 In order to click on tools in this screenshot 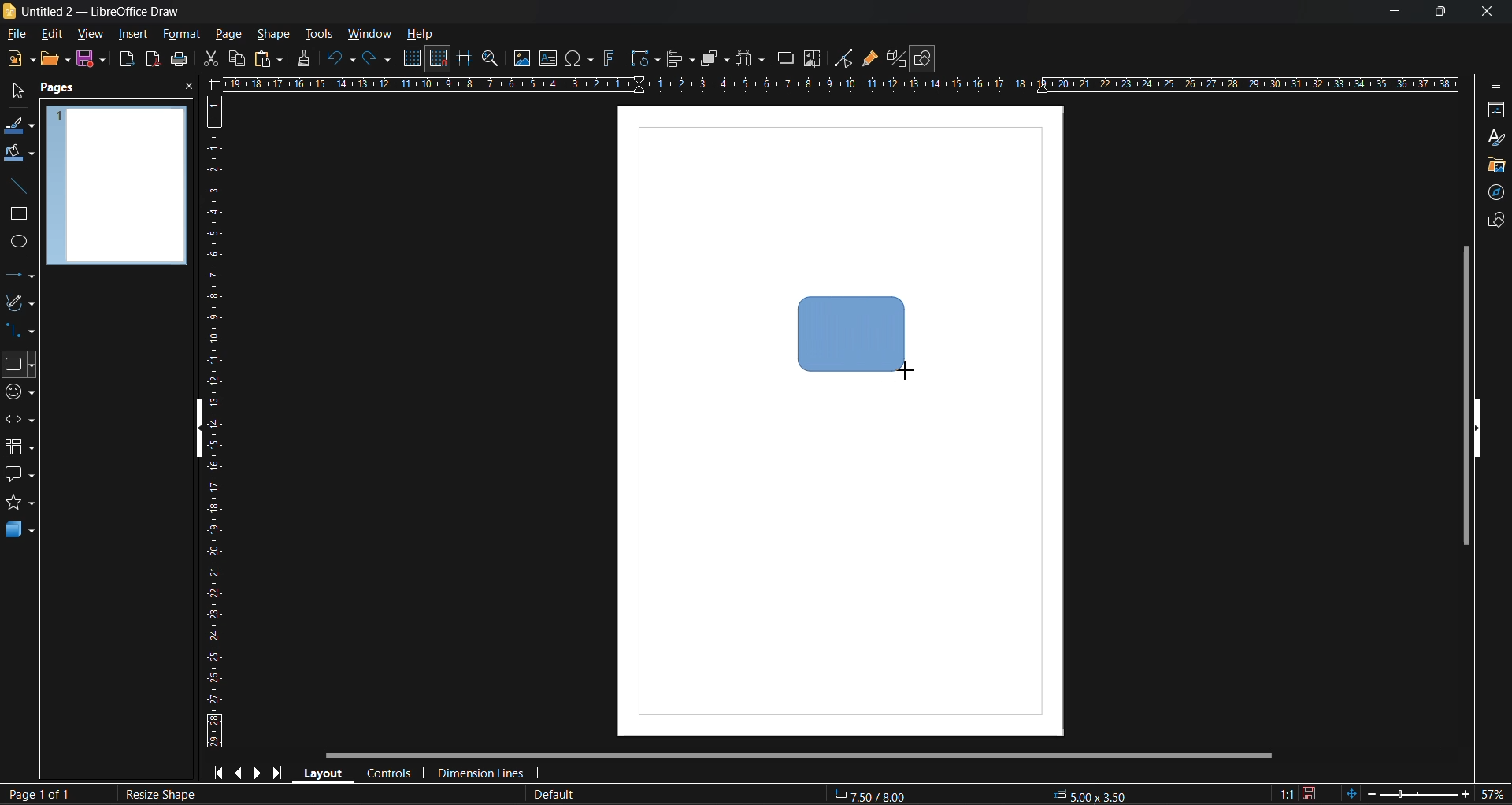, I will do `click(322, 35)`.